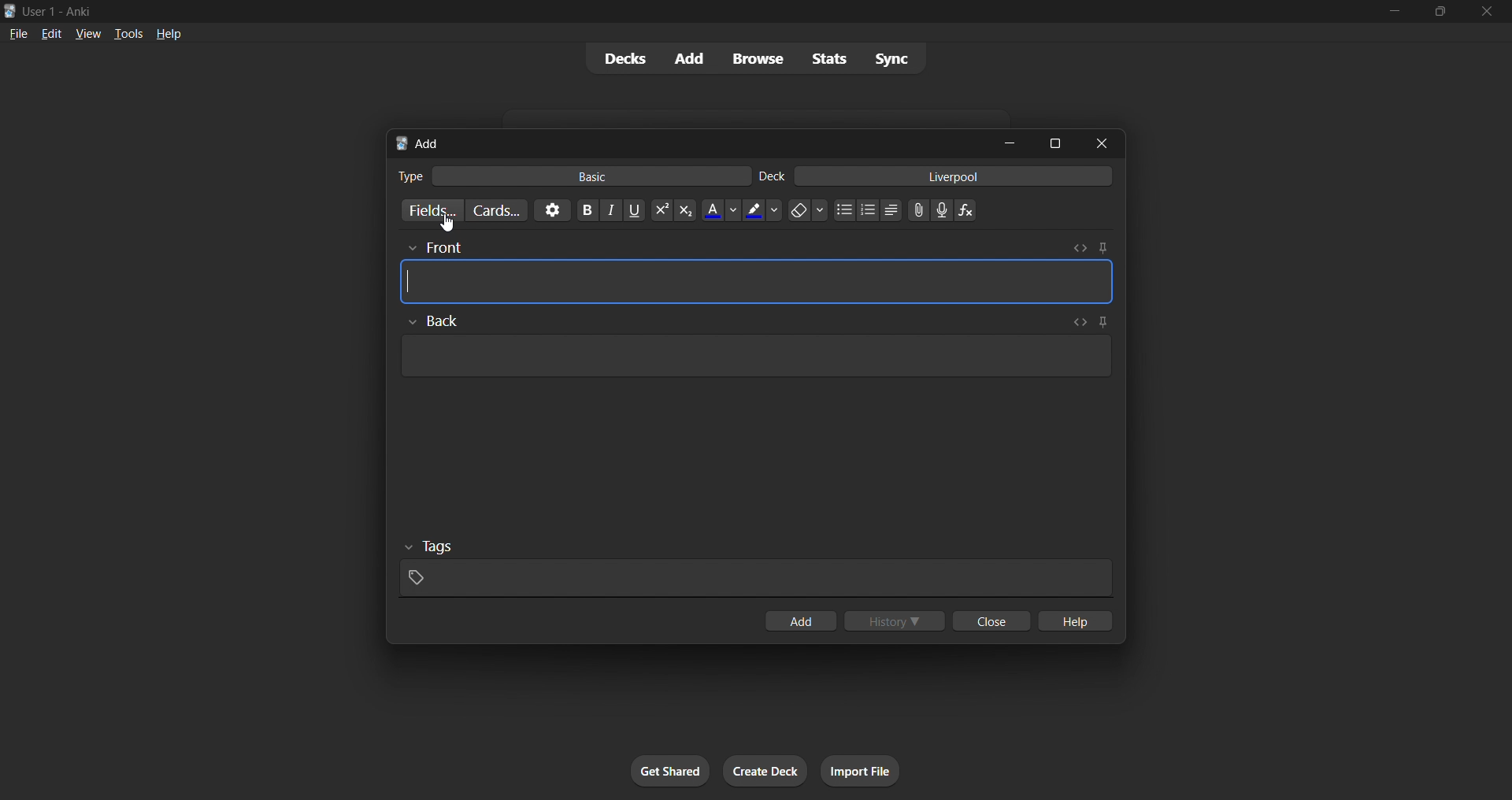 Image resolution: width=1512 pixels, height=800 pixels. Describe the element at coordinates (433, 321) in the screenshot. I see `` at that location.